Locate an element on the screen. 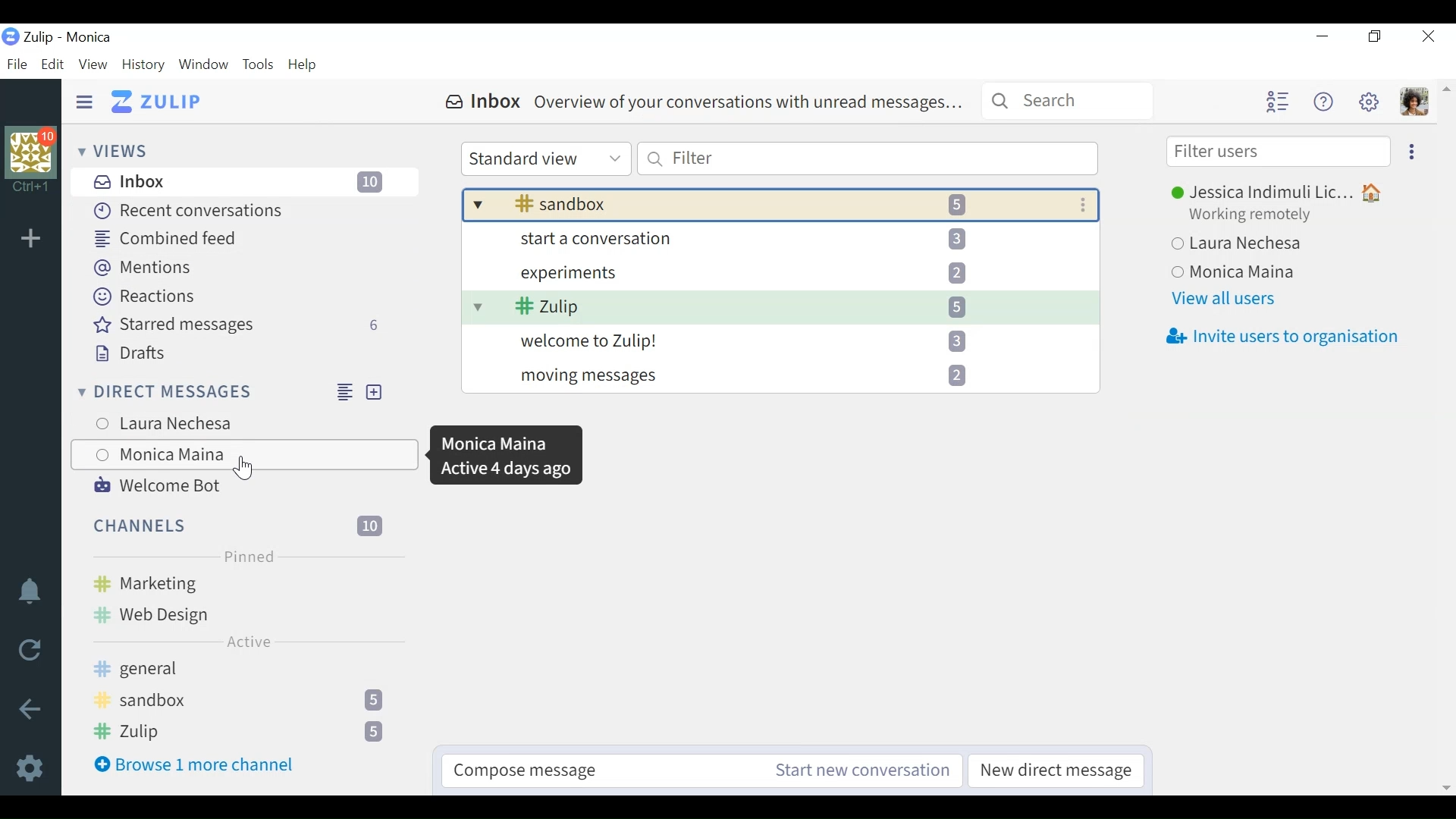 The width and height of the screenshot is (1456, 819). vertical scrollbar is located at coordinates (1445, 438).